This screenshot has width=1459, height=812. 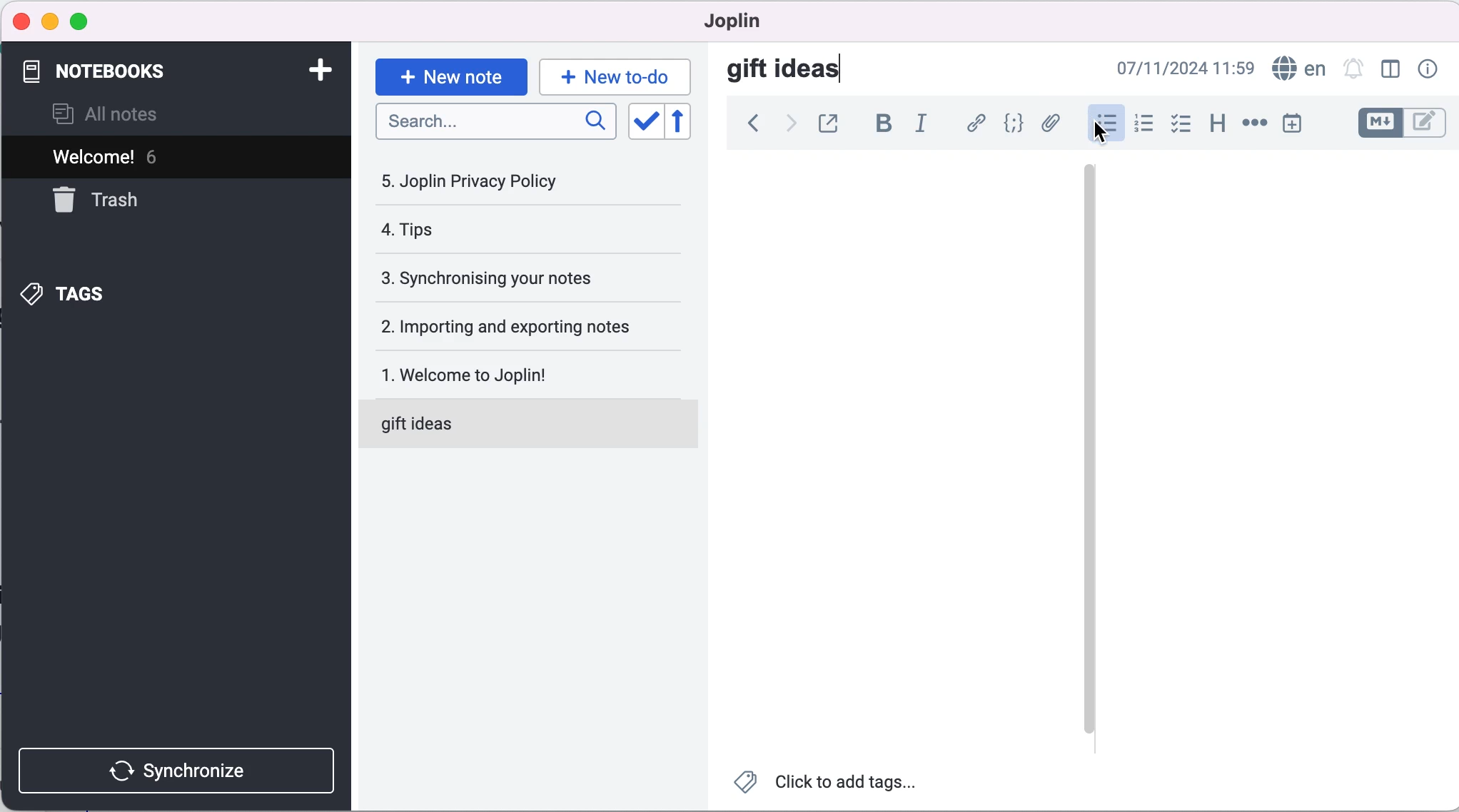 I want to click on back, so click(x=749, y=126).